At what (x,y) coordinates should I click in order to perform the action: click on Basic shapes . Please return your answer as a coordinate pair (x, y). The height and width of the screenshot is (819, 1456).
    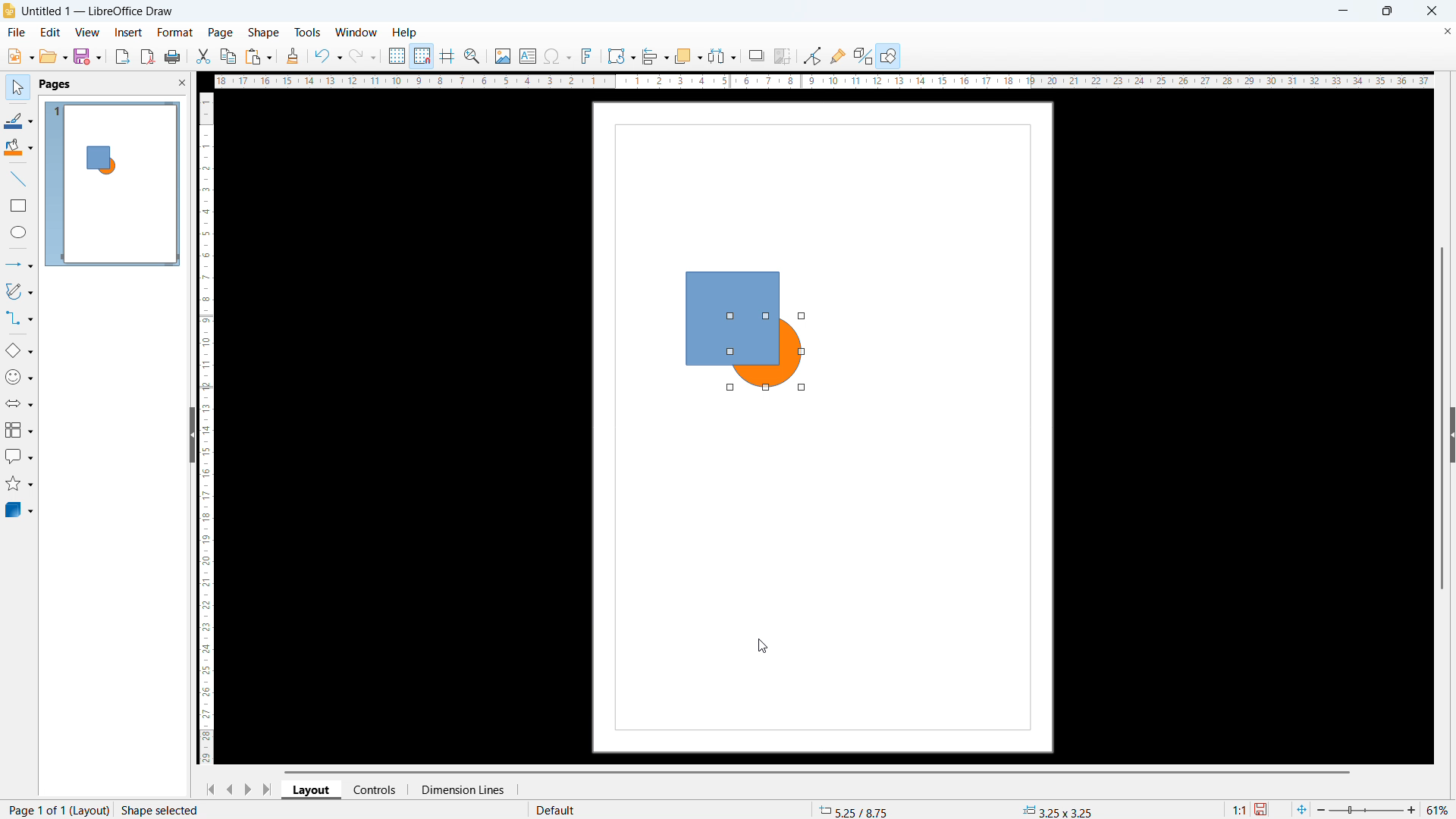
    Looking at the image, I should click on (20, 349).